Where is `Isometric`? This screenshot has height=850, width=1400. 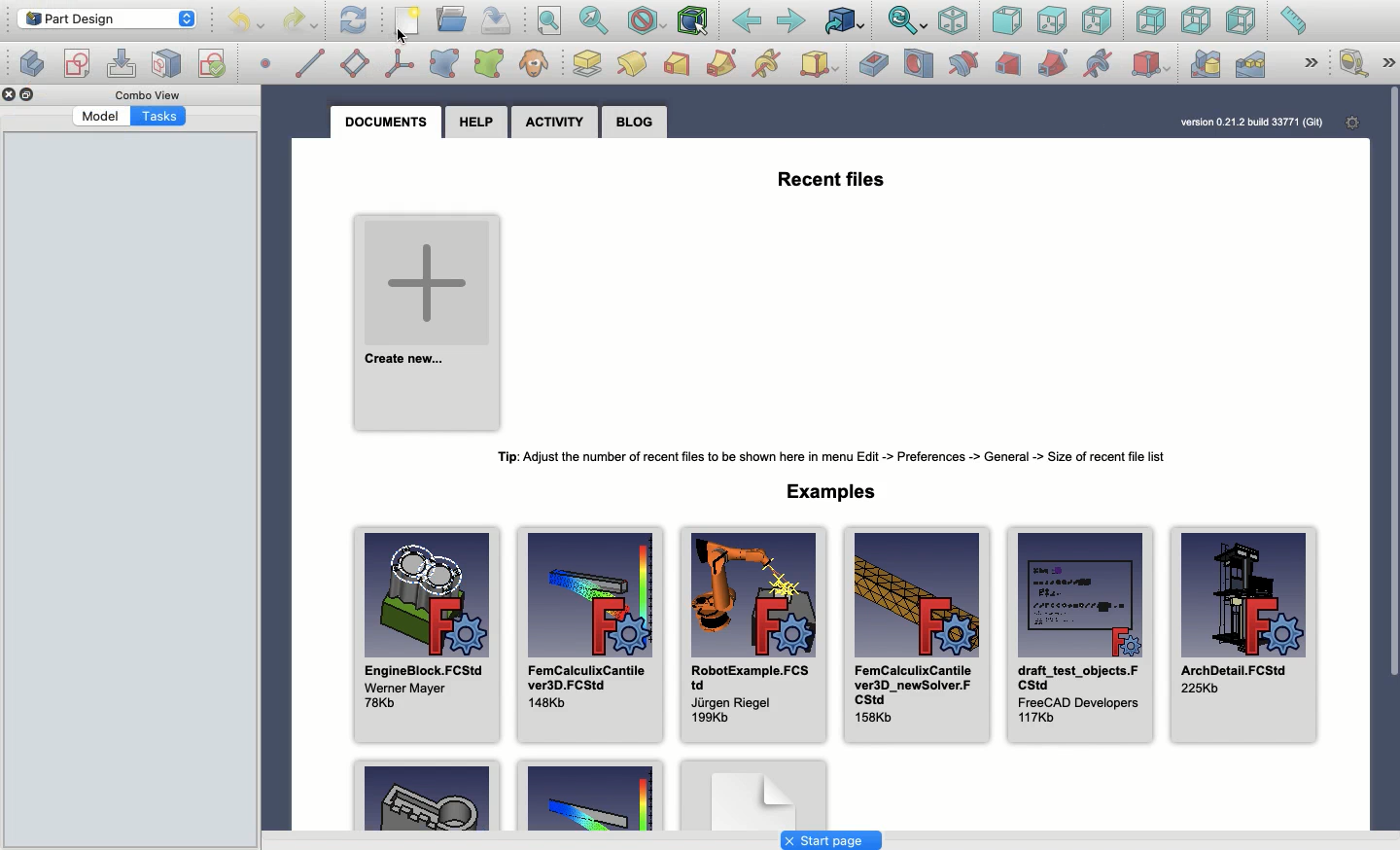 Isometric is located at coordinates (952, 22).